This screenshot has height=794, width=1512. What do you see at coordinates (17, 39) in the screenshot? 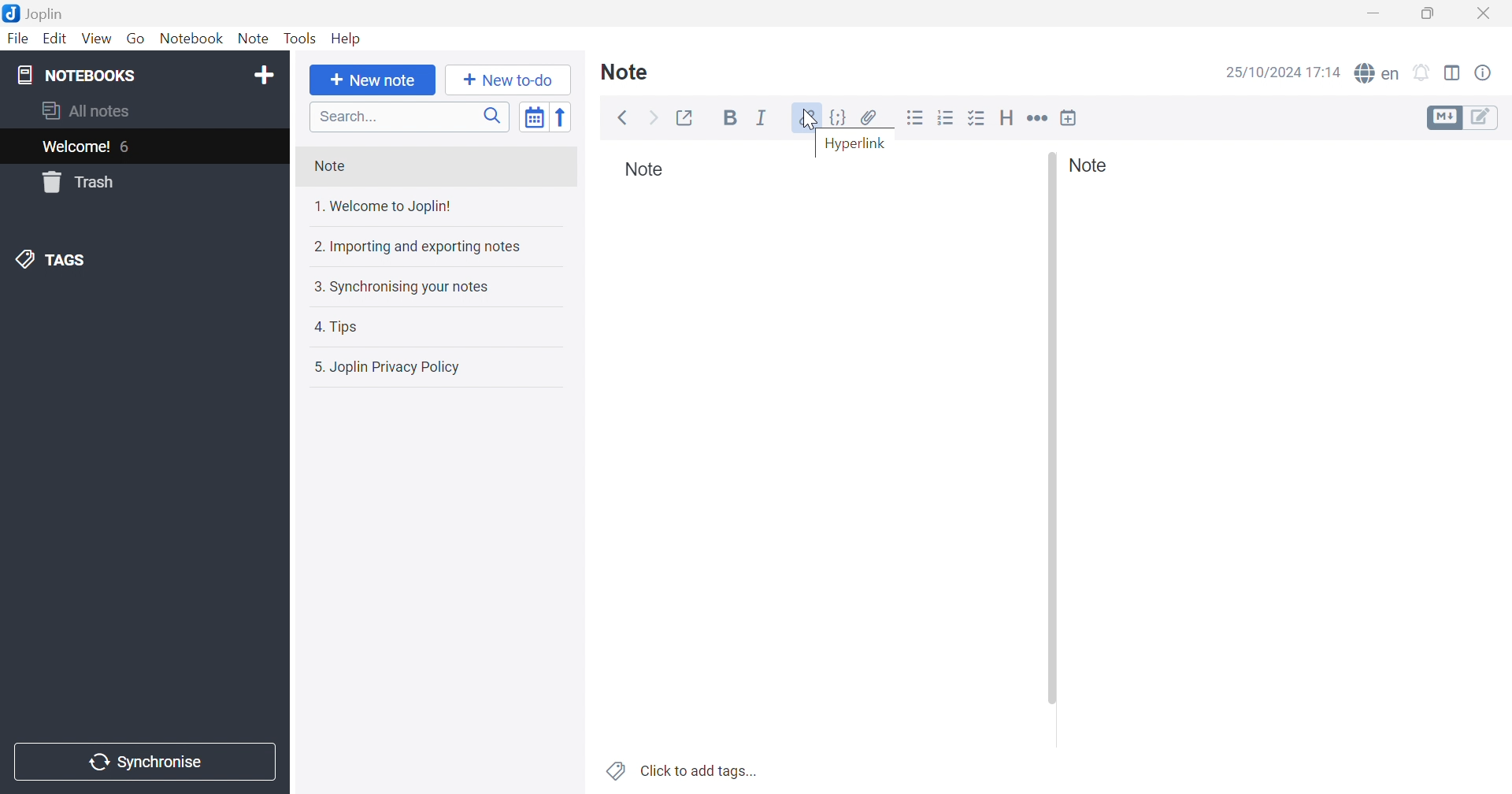
I see `File` at bounding box center [17, 39].